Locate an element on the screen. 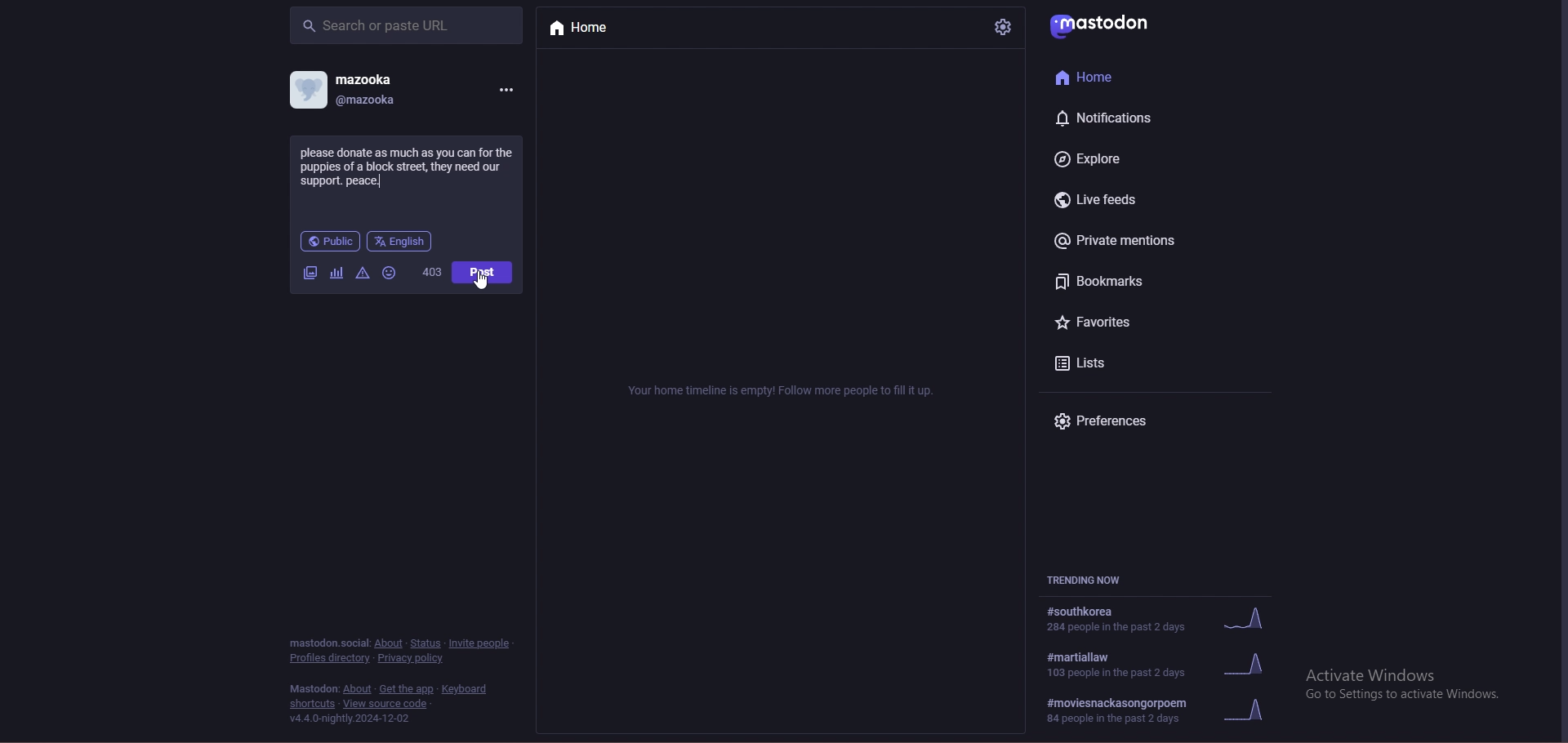 The image size is (1568, 743). mastodon social is located at coordinates (327, 643).